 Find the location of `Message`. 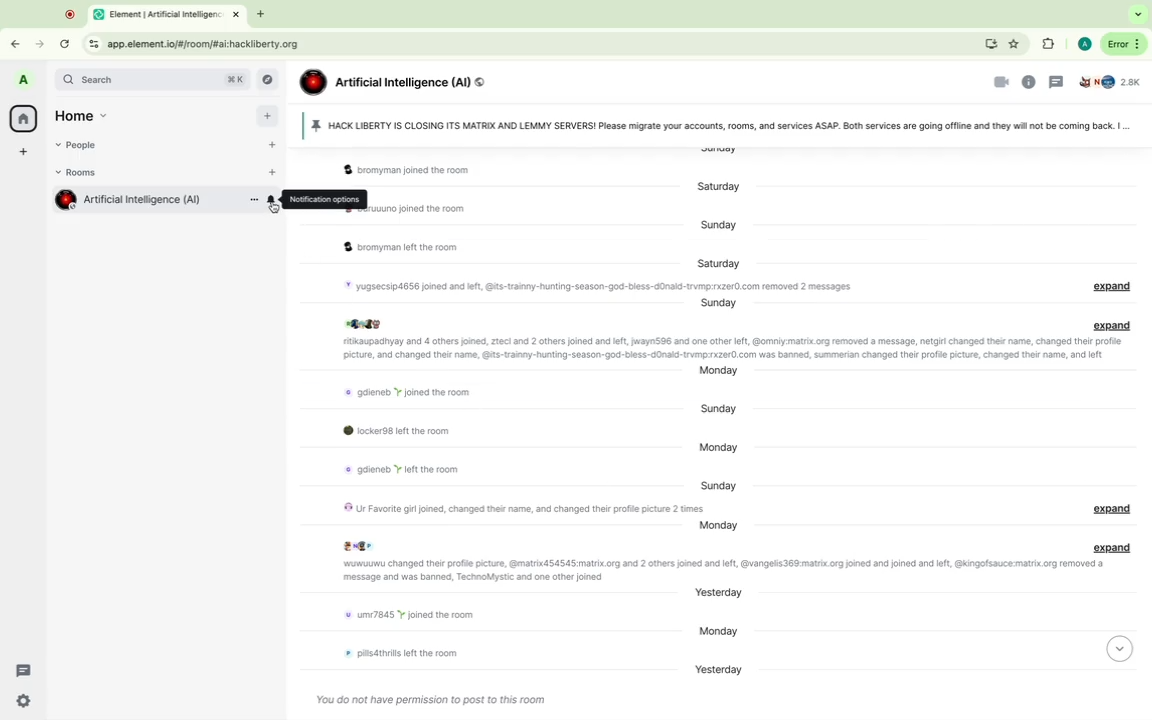

Message is located at coordinates (733, 350).